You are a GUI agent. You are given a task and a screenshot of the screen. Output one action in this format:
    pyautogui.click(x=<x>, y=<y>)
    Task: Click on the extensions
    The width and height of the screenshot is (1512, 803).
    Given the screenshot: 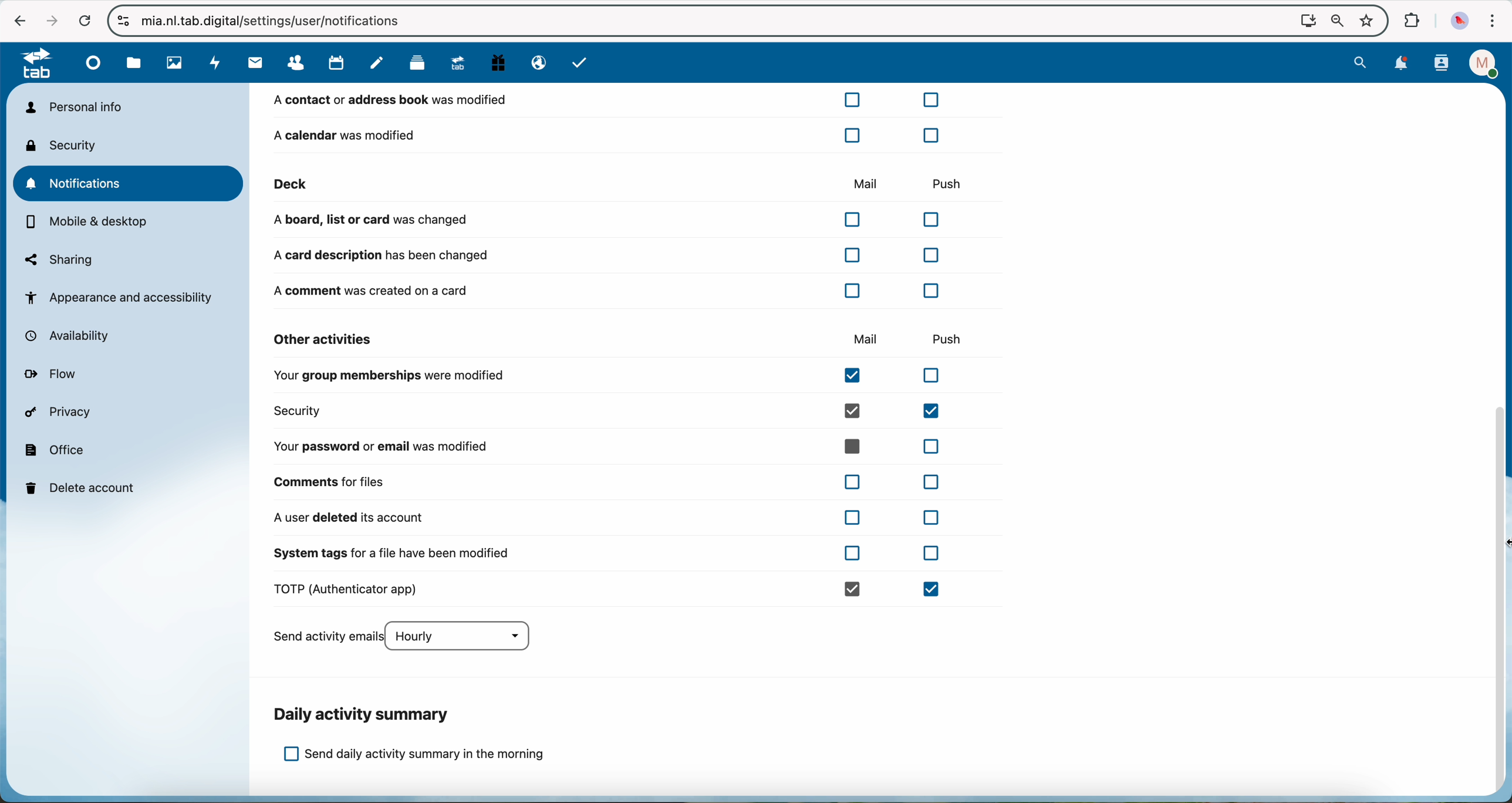 What is the action you would take?
    pyautogui.click(x=1412, y=21)
    